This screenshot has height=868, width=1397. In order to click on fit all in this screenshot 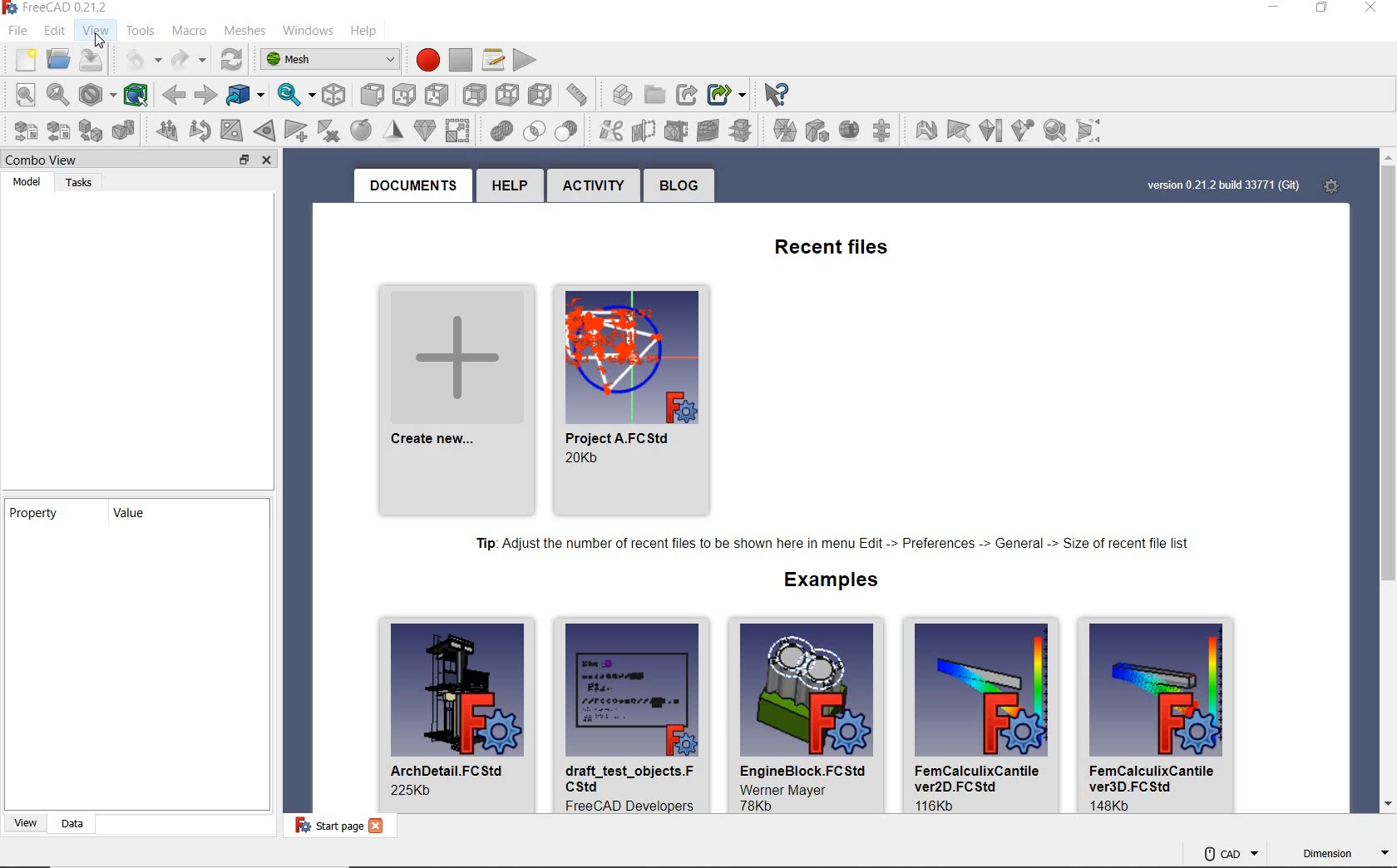, I will do `click(20, 95)`.